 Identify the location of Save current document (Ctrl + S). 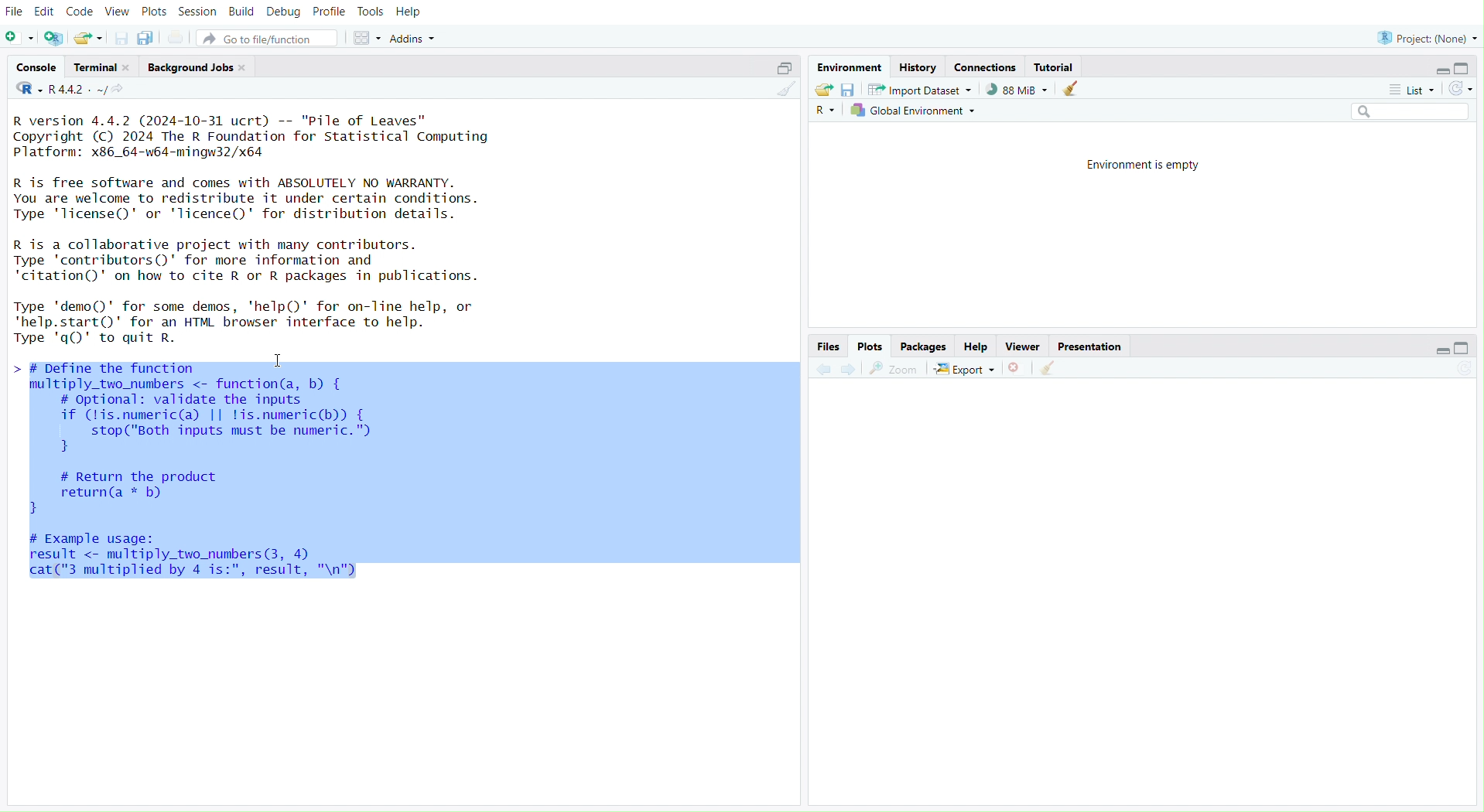
(117, 37).